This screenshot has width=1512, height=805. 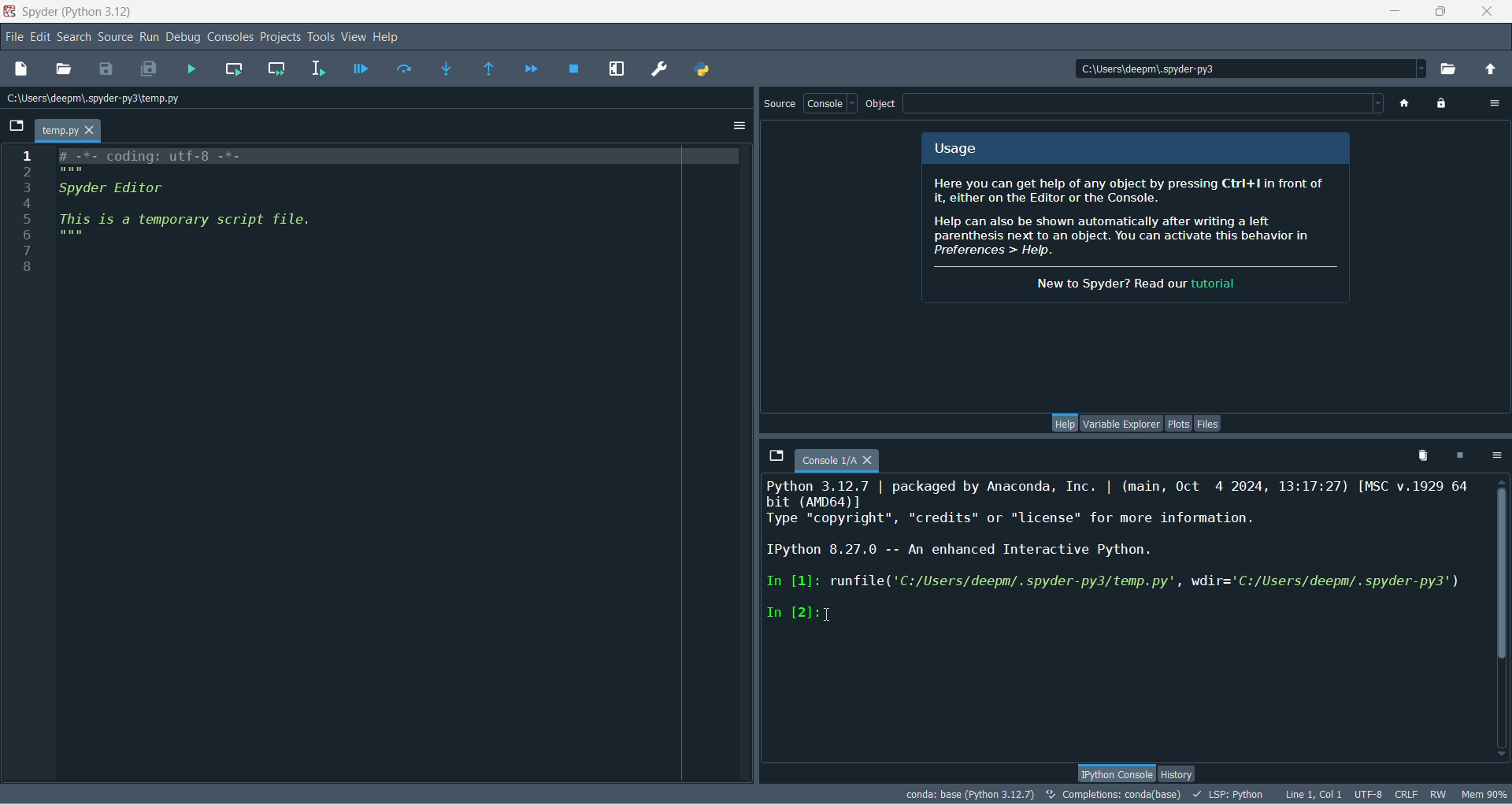 What do you see at coordinates (191, 71) in the screenshot?
I see `run file` at bounding box center [191, 71].